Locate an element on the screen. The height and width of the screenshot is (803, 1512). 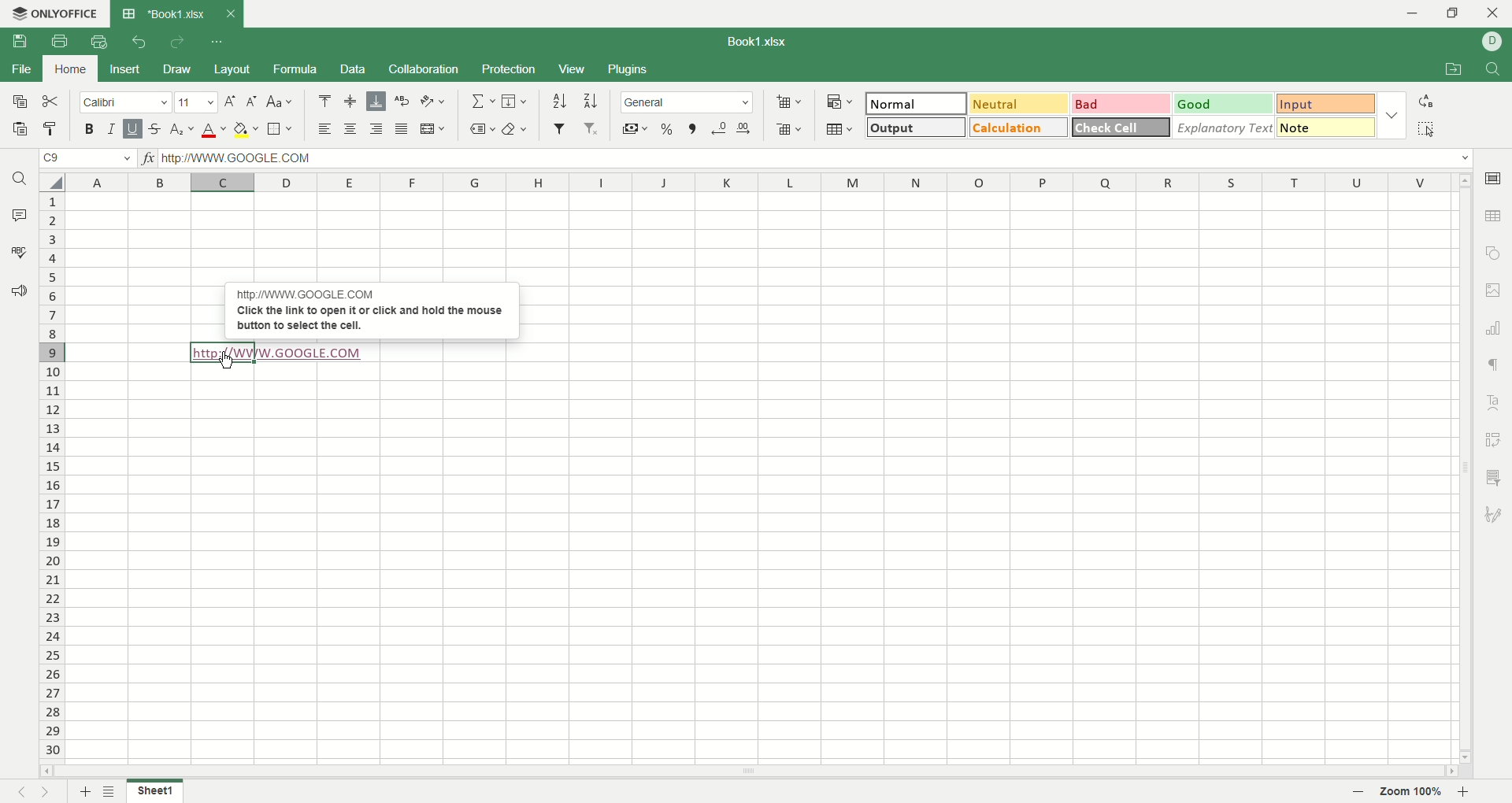
decrease decimal is located at coordinates (719, 128).